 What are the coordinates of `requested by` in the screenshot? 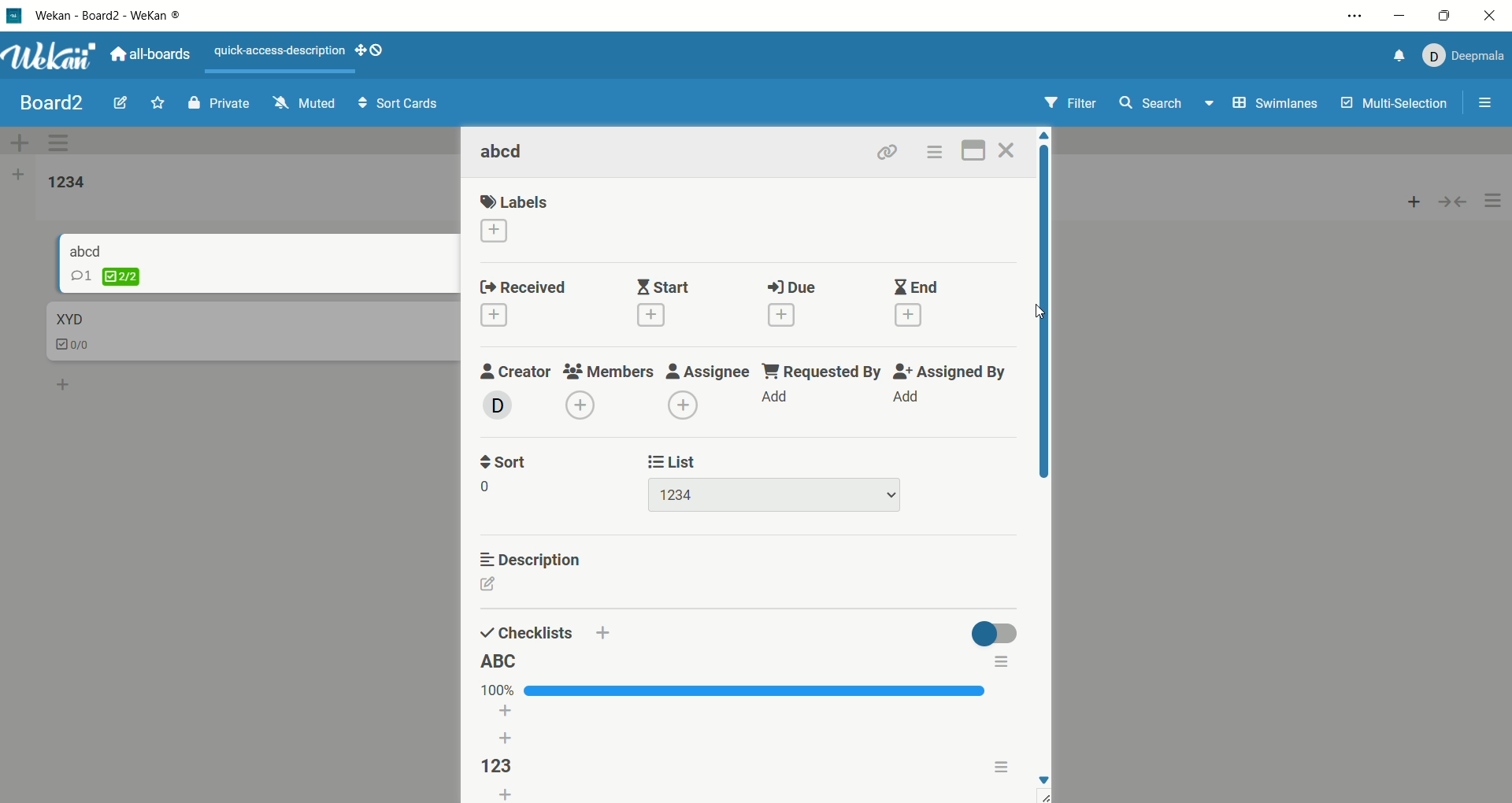 It's located at (820, 371).